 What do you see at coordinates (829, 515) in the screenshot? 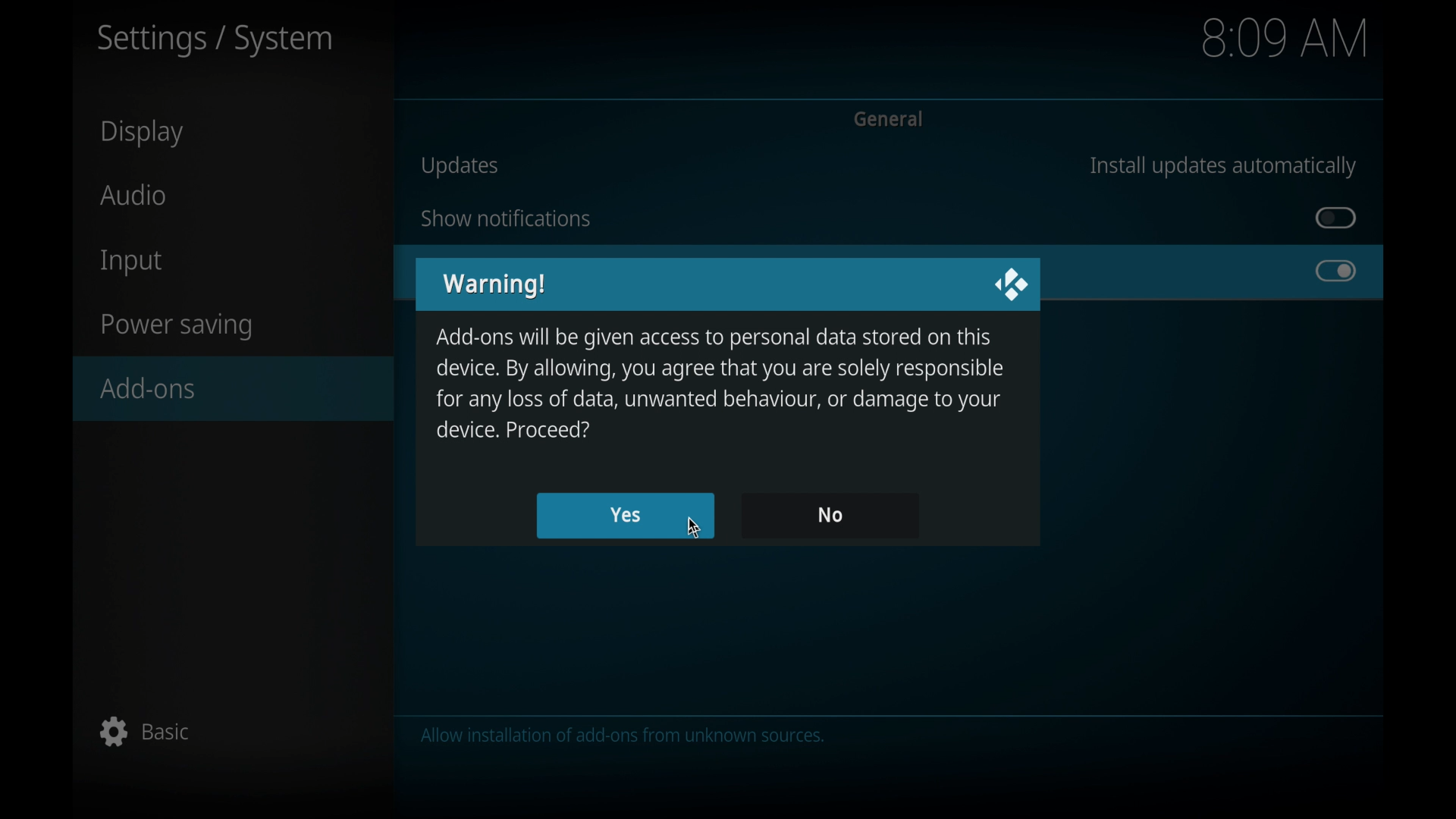
I see `no` at bounding box center [829, 515].